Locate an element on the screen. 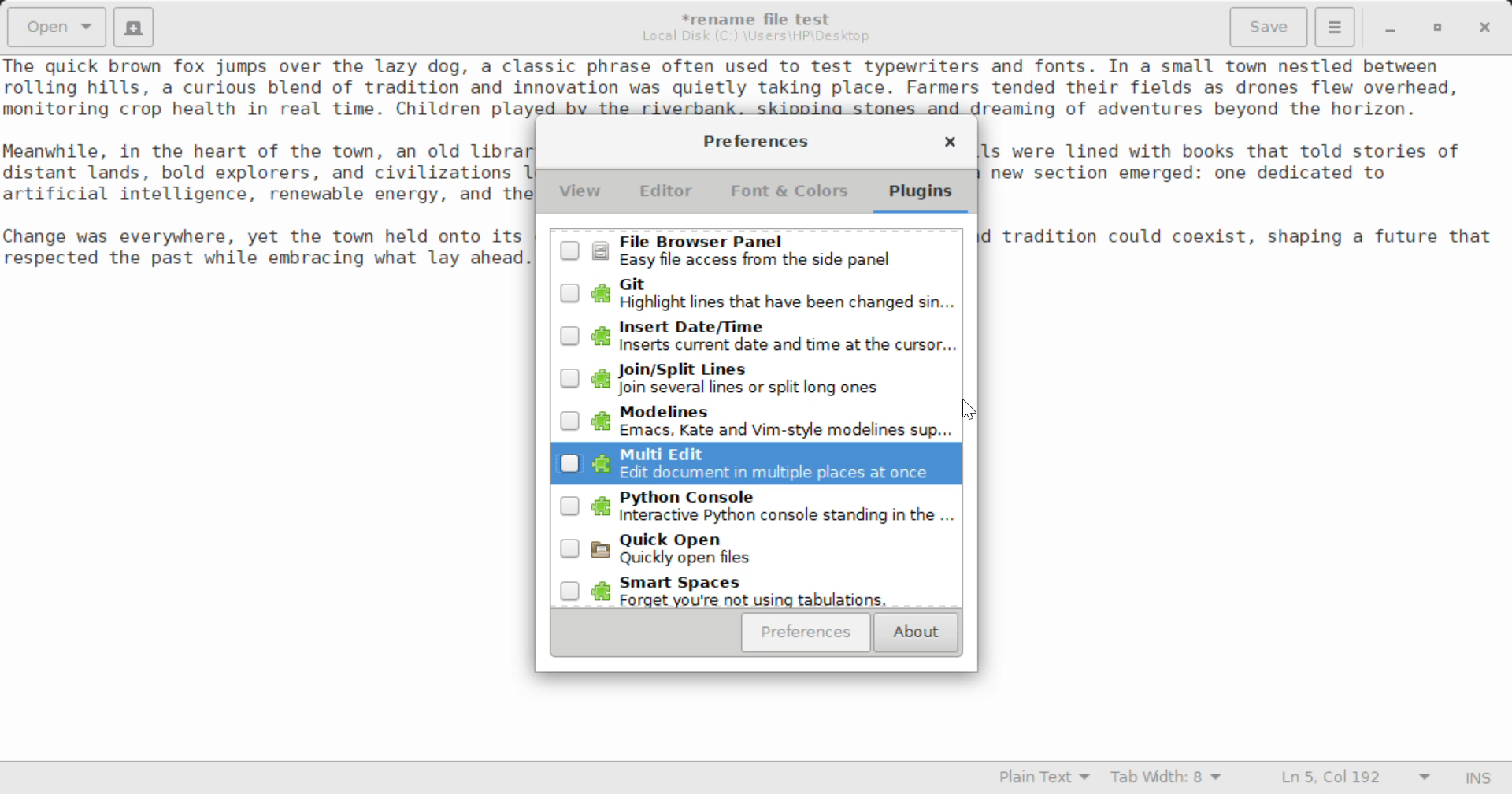 The width and height of the screenshot is (1512, 794). Unselected Python Console is located at coordinates (755, 511).